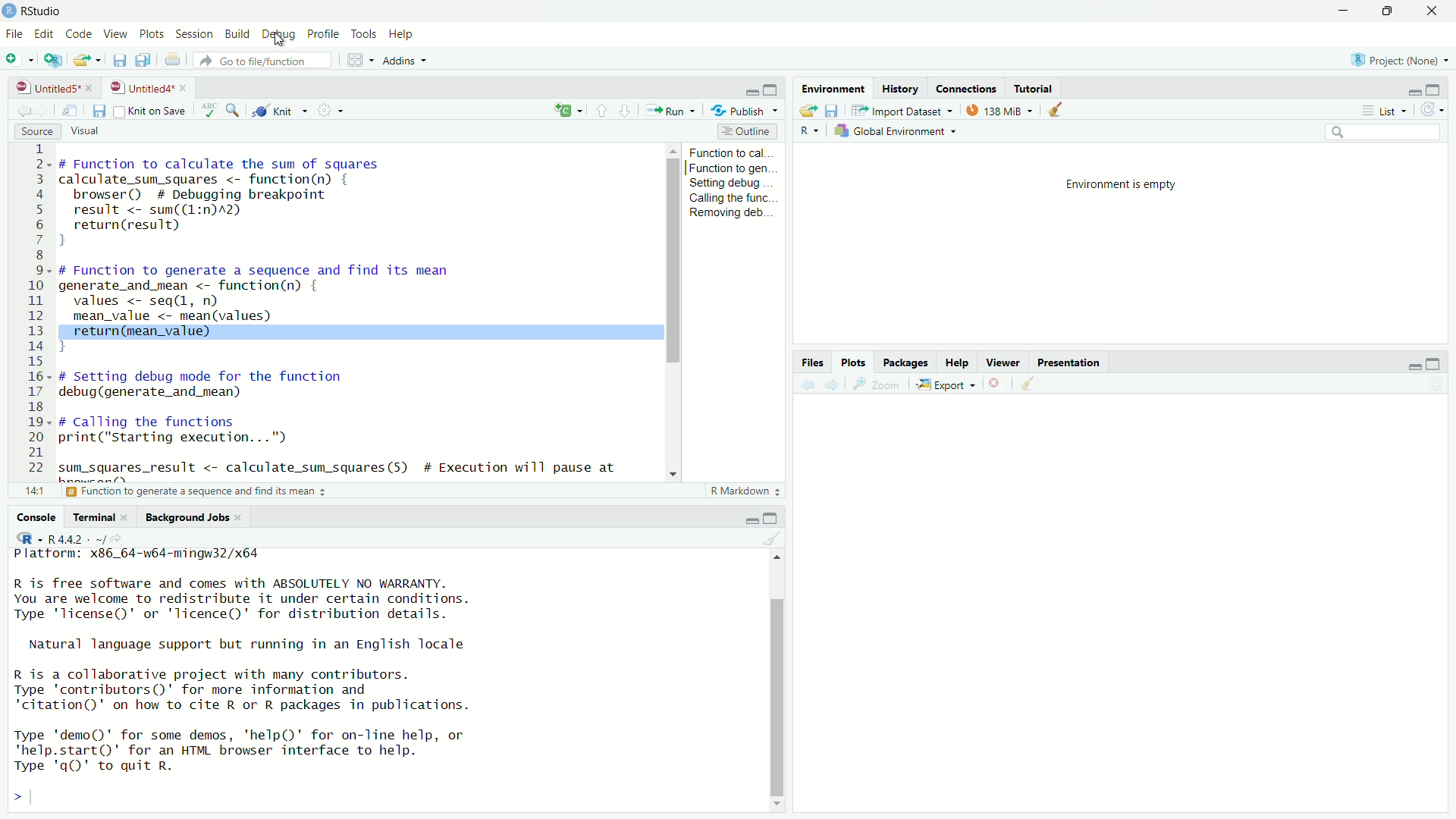 The image size is (1456, 819). What do you see at coordinates (908, 362) in the screenshot?
I see `packages` at bounding box center [908, 362].